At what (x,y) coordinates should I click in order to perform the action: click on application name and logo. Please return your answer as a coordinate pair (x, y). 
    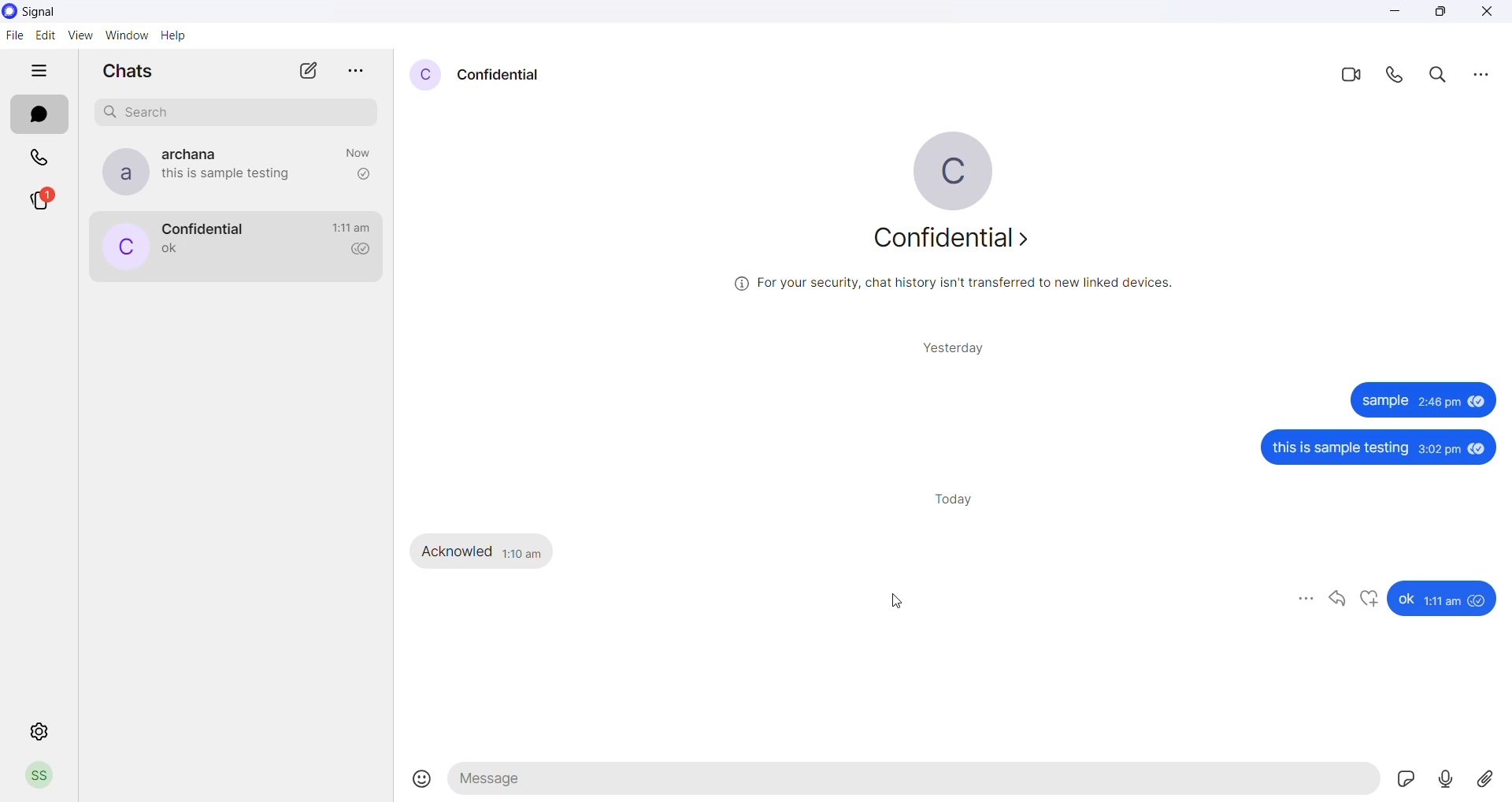
    Looking at the image, I should click on (54, 11).